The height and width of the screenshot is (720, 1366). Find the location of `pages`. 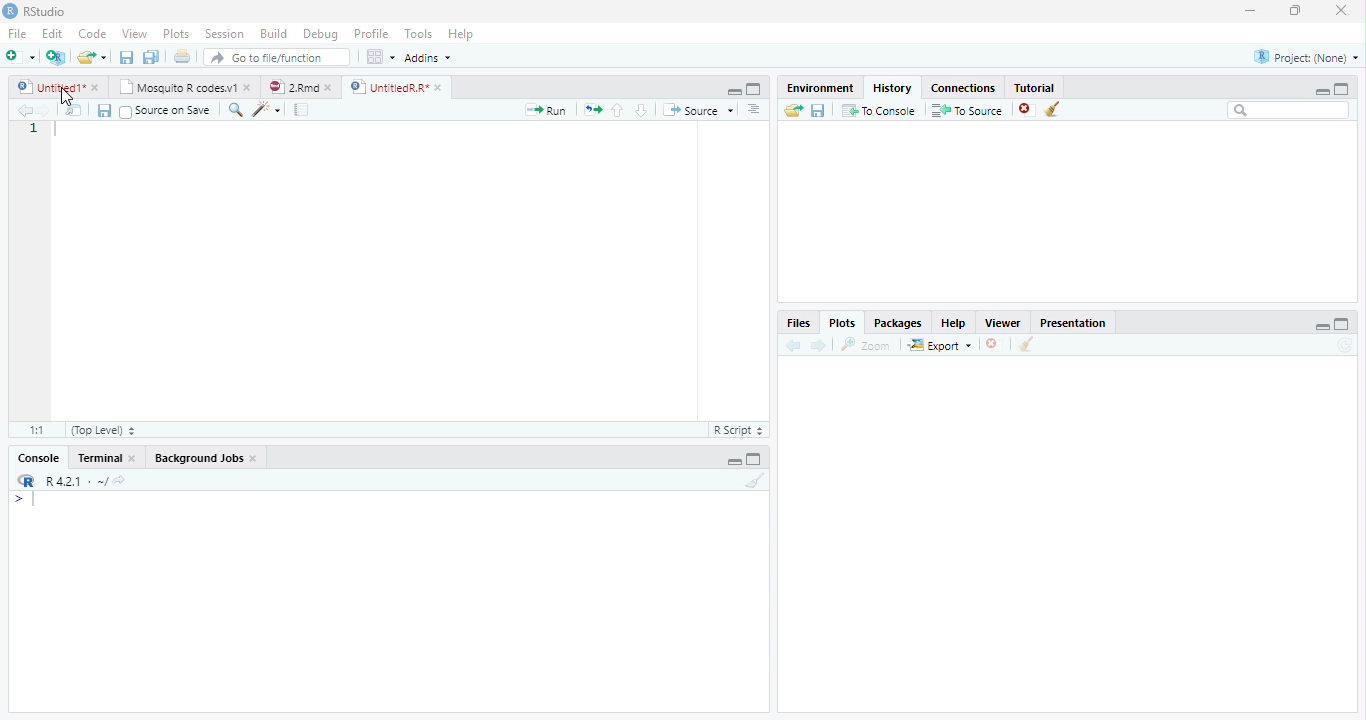

pages is located at coordinates (299, 112).